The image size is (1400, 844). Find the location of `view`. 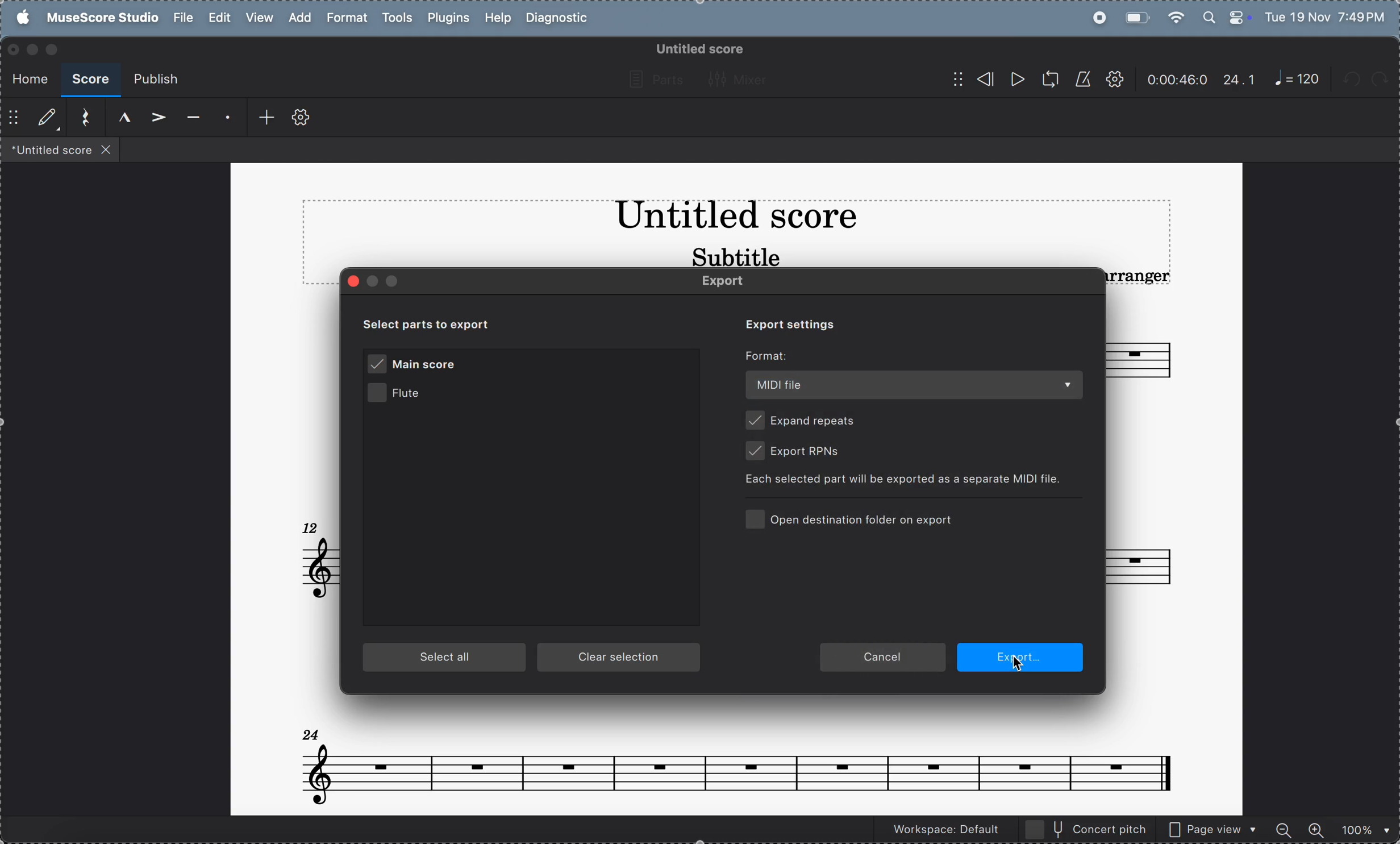

view is located at coordinates (259, 18).